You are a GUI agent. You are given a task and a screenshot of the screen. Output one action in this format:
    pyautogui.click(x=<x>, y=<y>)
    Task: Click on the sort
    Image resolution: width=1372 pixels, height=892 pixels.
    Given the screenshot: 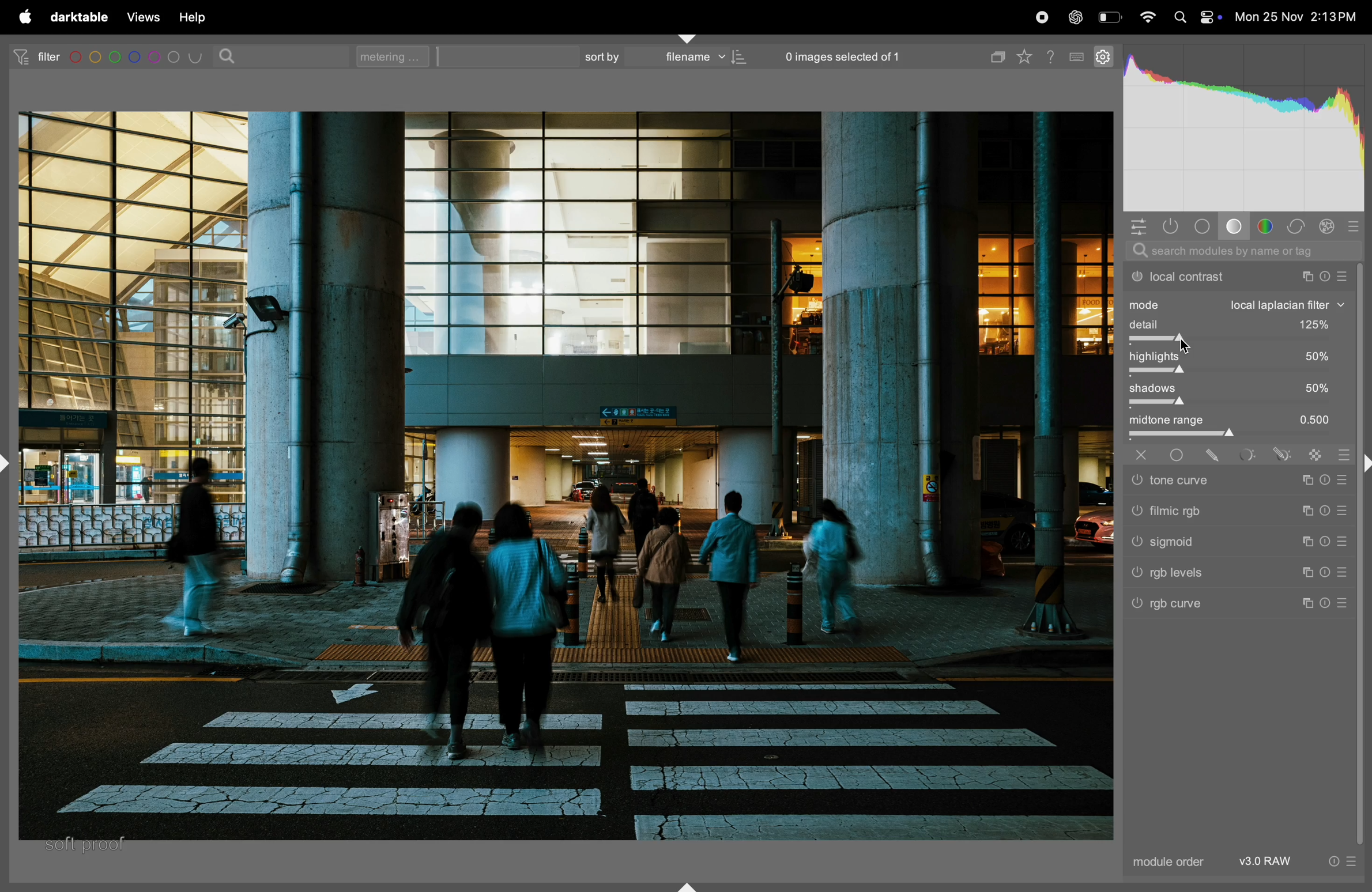 What is the action you would take?
    pyautogui.click(x=599, y=56)
    